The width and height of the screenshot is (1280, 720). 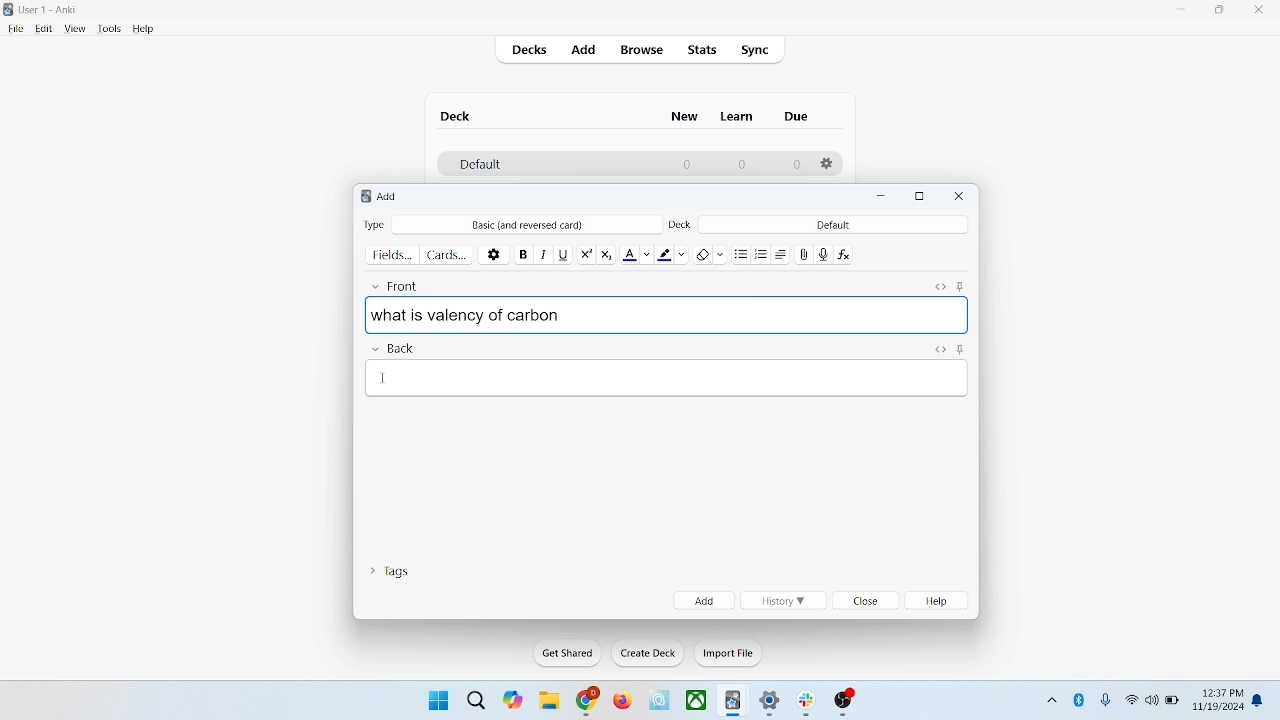 I want to click on history, so click(x=782, y=601).